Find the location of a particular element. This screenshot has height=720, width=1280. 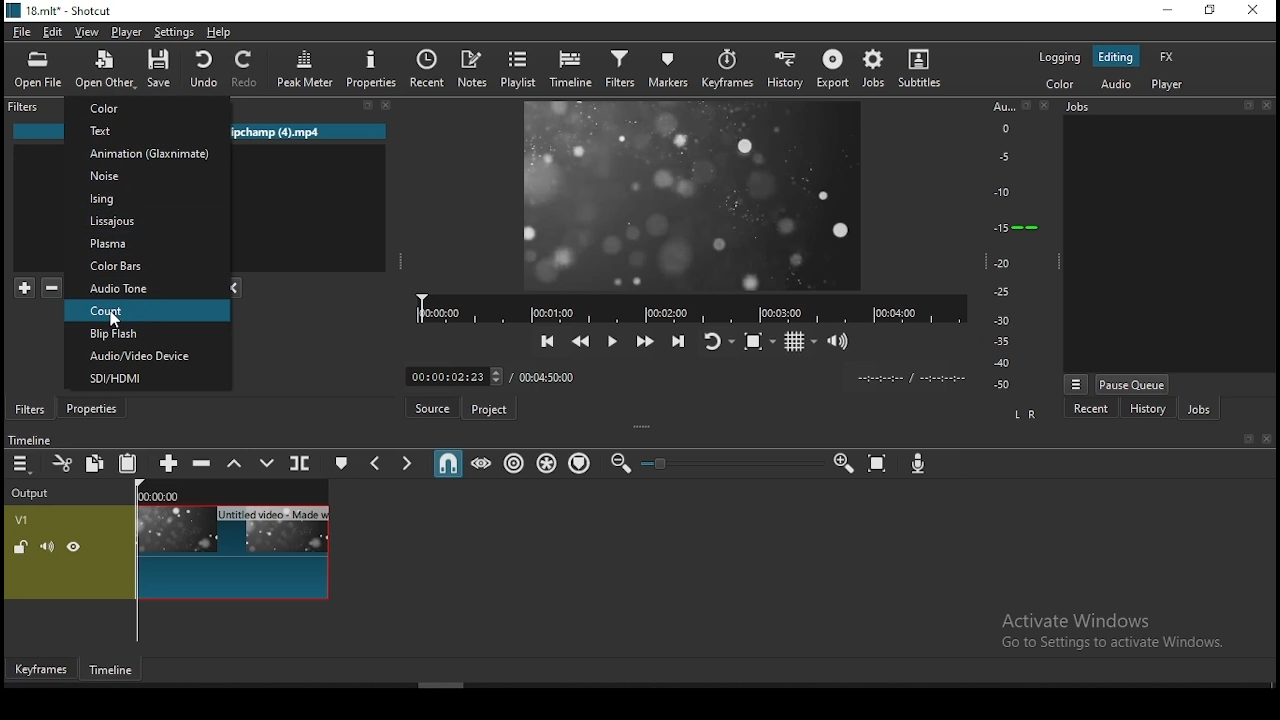

snap is located at coordinates (451, 466).